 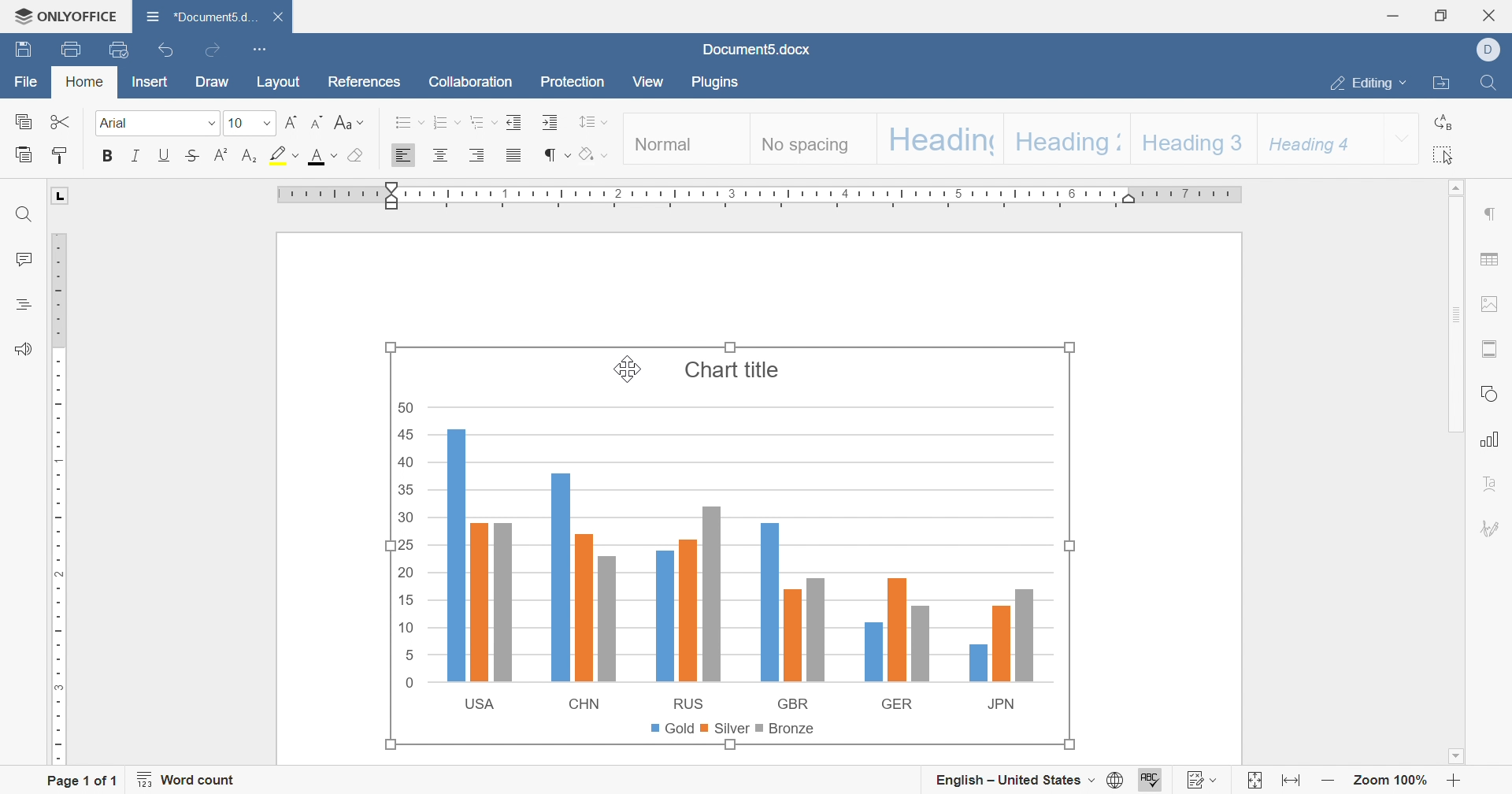 What do you see at coordinates (1394, 15) in the screenshot?
I see `minimize` at bounding box center [1394, 15].